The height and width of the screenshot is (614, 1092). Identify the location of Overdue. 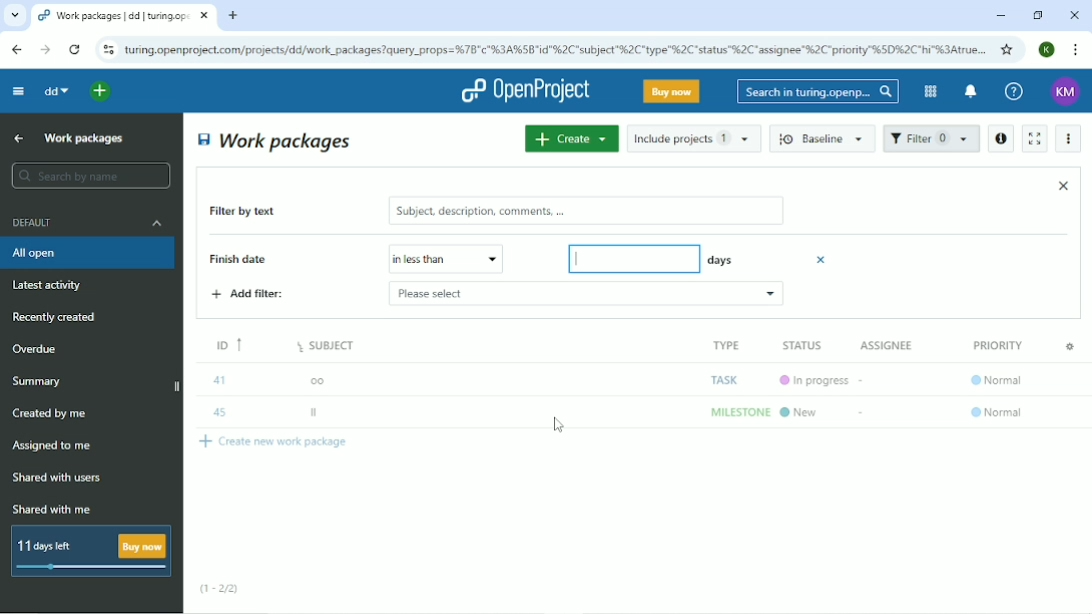
(37, 350).